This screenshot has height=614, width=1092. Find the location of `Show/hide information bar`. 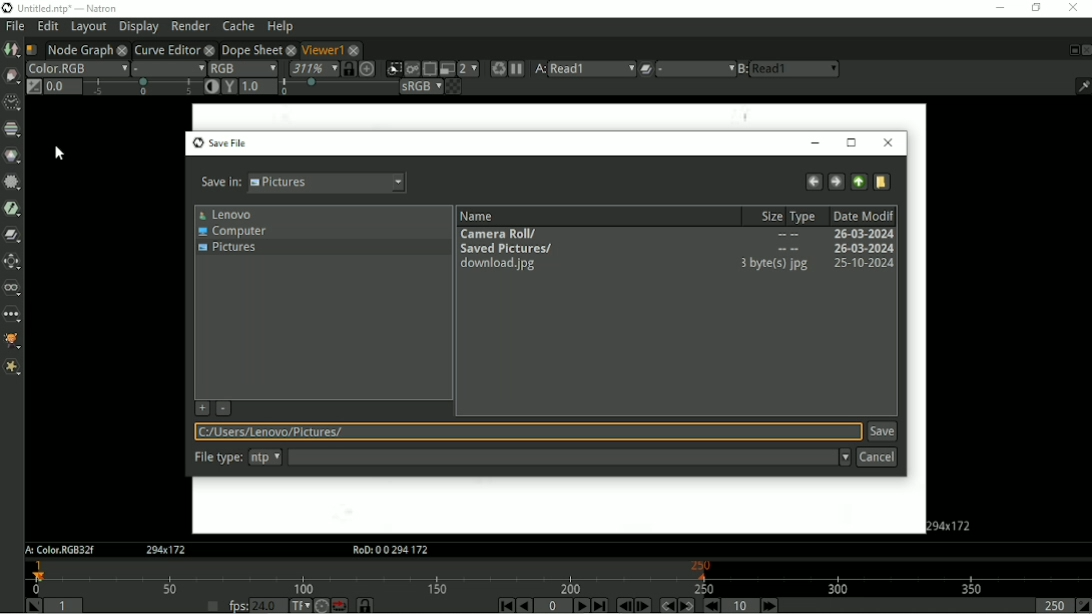

Show/hide information bar is located at coordinates (1082, 87).